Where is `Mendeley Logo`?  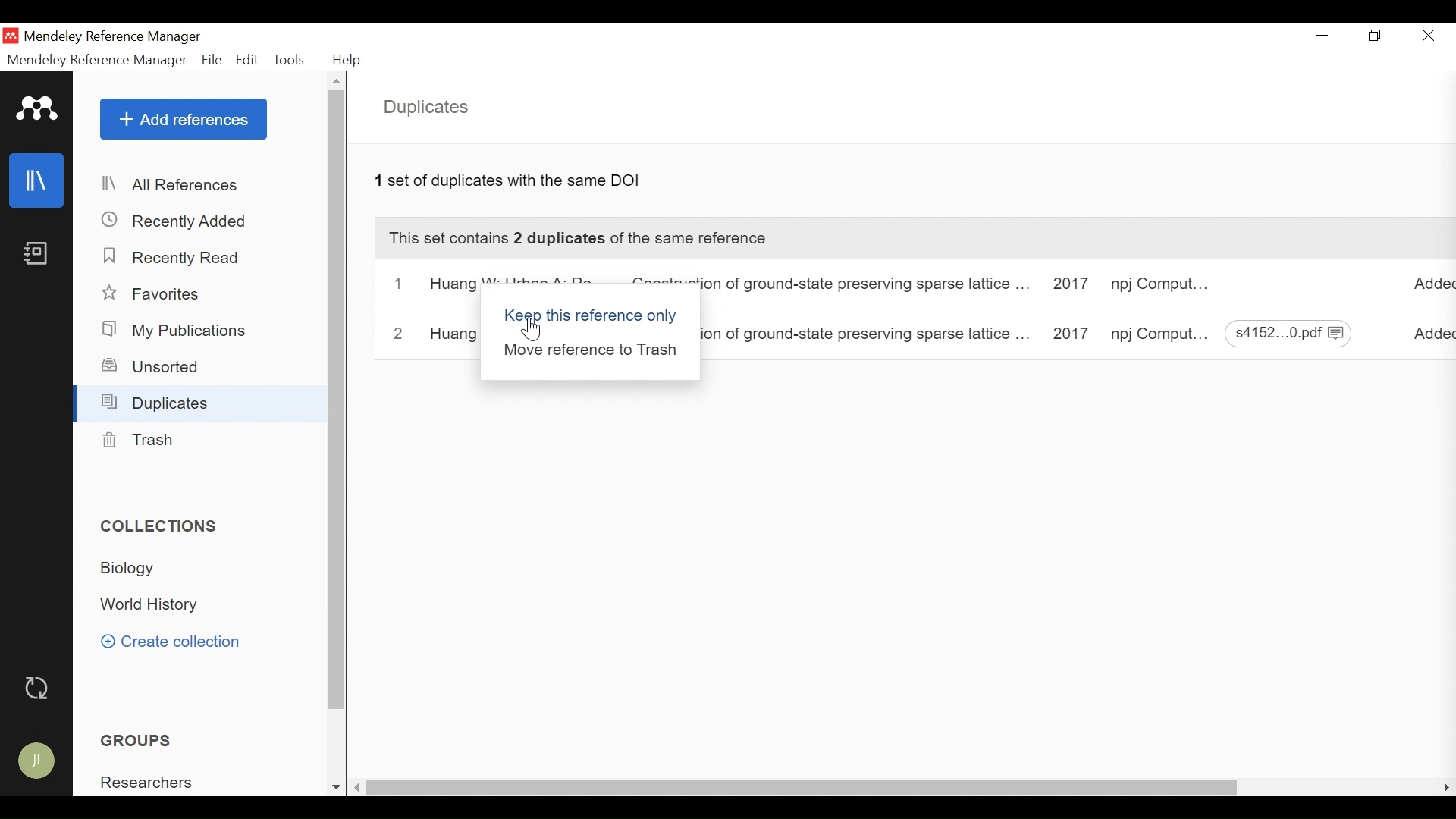 Mendeley Logo is located at coordinates (37, 109).